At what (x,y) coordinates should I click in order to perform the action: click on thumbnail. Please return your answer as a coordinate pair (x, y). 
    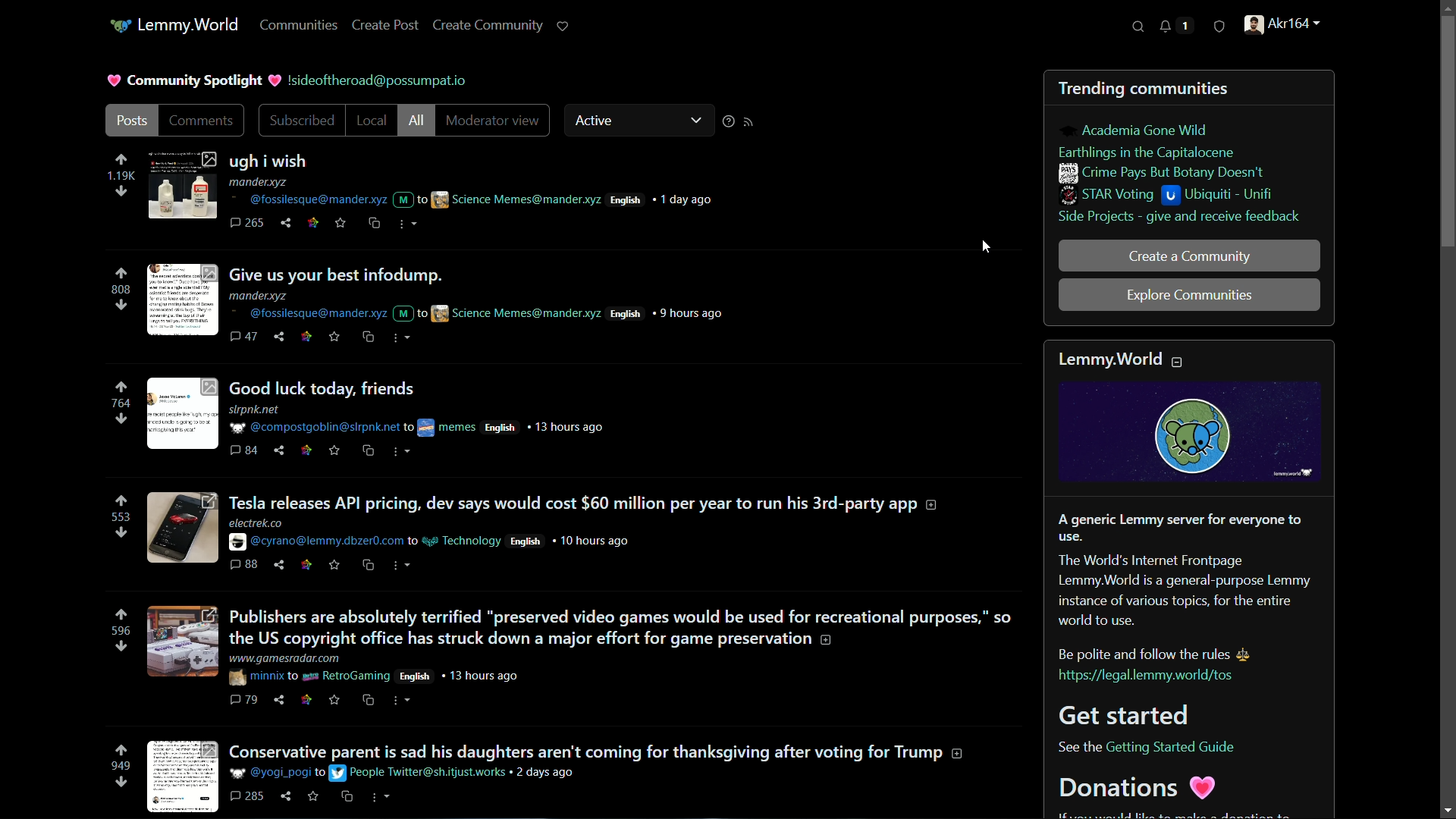
    Looking at the image, I should click on (180, 643).